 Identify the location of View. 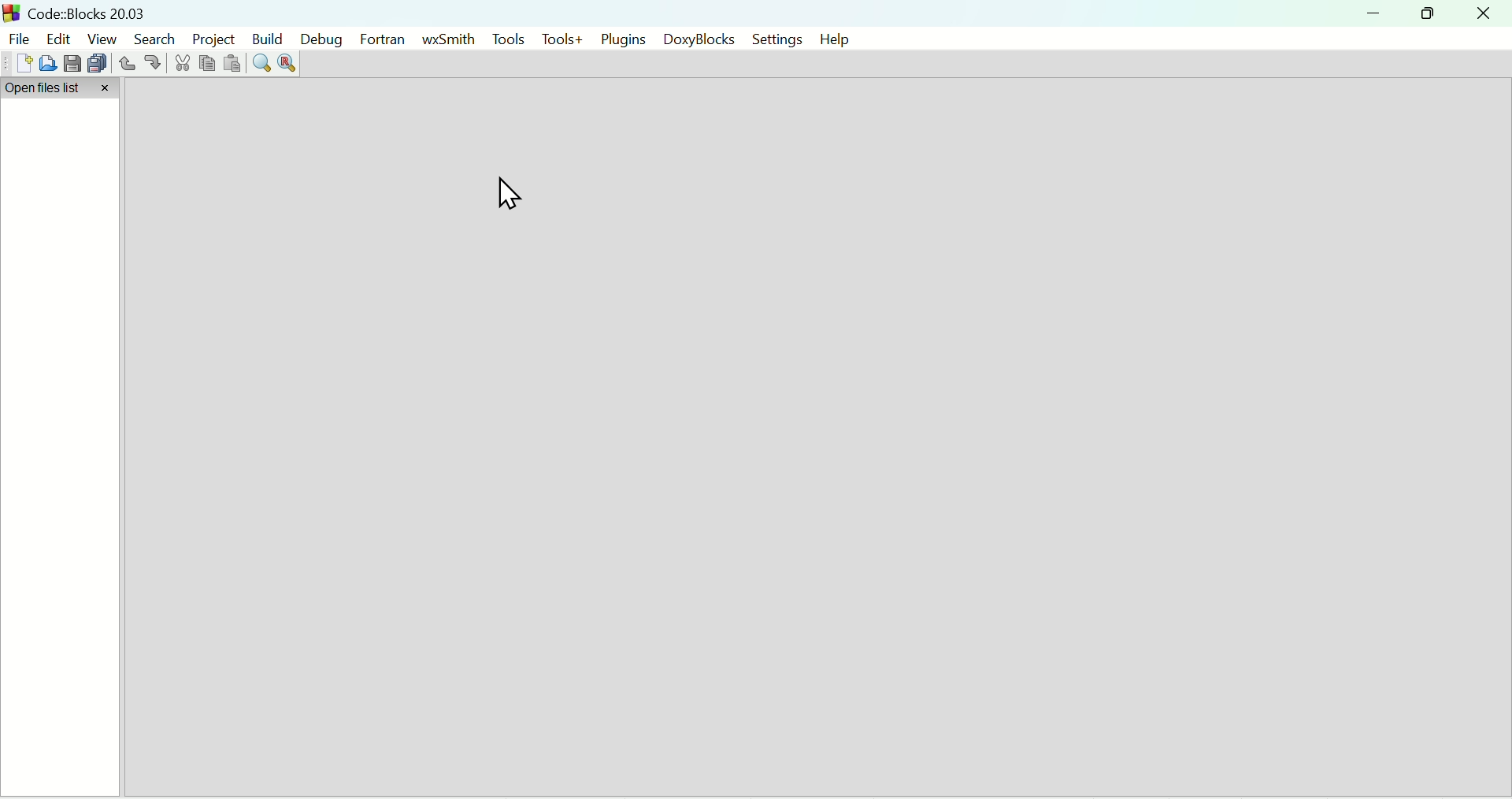
(103, 38).